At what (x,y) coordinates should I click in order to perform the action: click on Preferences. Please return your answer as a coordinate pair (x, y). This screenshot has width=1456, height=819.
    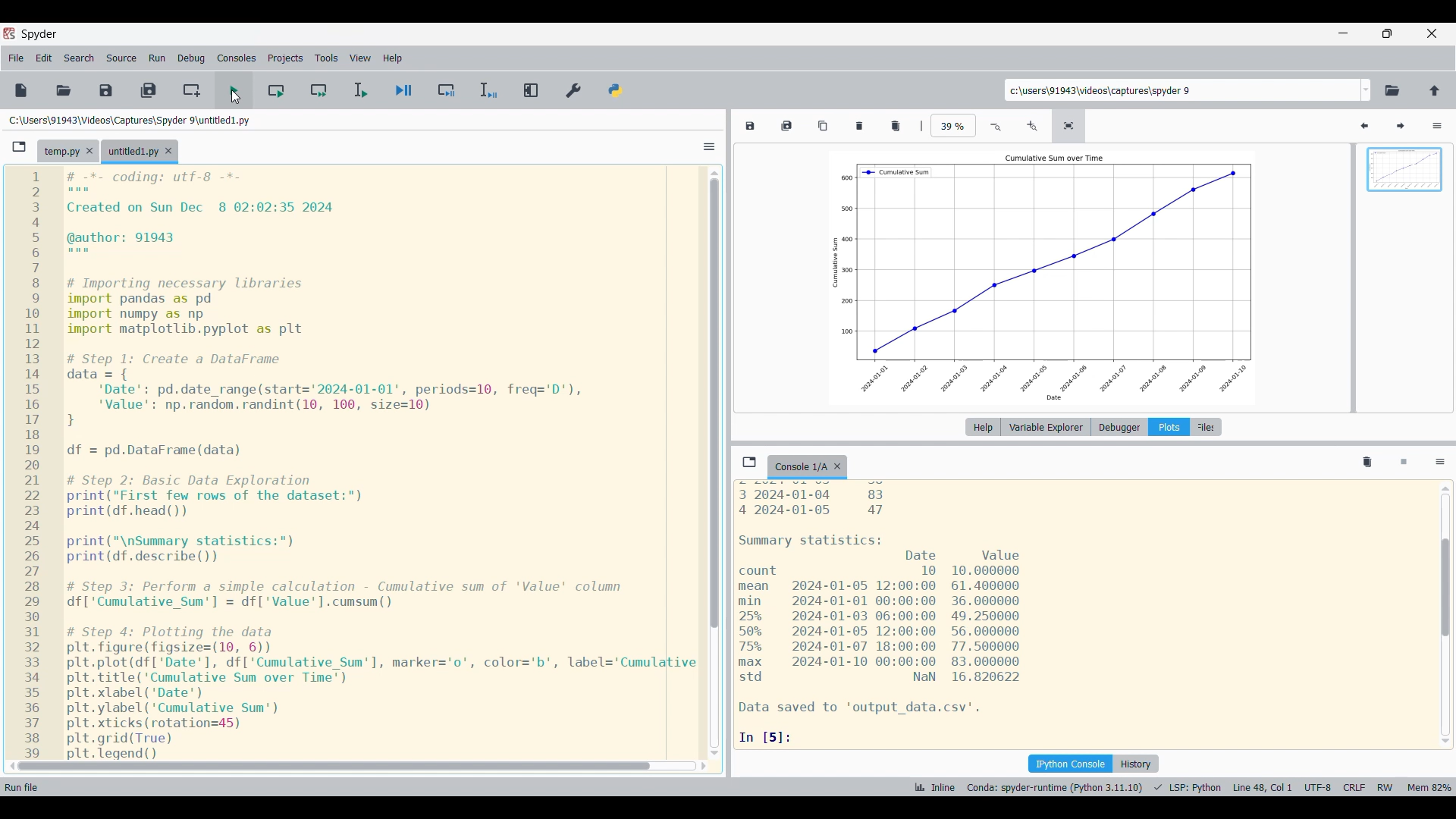
    Looking at the image, I should click on (574, 90).